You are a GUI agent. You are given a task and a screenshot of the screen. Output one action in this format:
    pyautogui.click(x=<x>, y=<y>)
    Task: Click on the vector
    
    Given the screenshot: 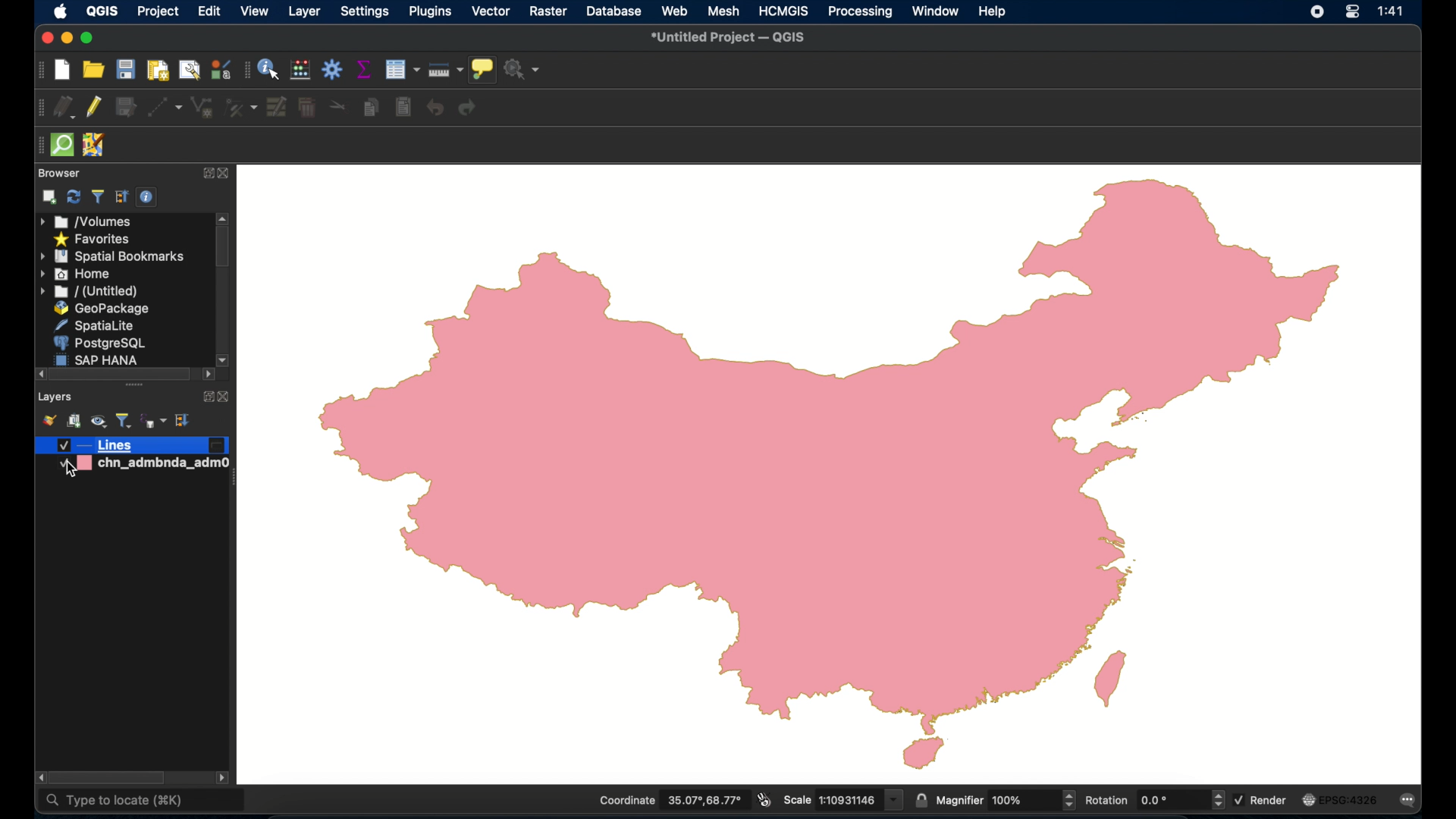 What is the action you would take?
    pyautogui.click(x=491, y=12)
    